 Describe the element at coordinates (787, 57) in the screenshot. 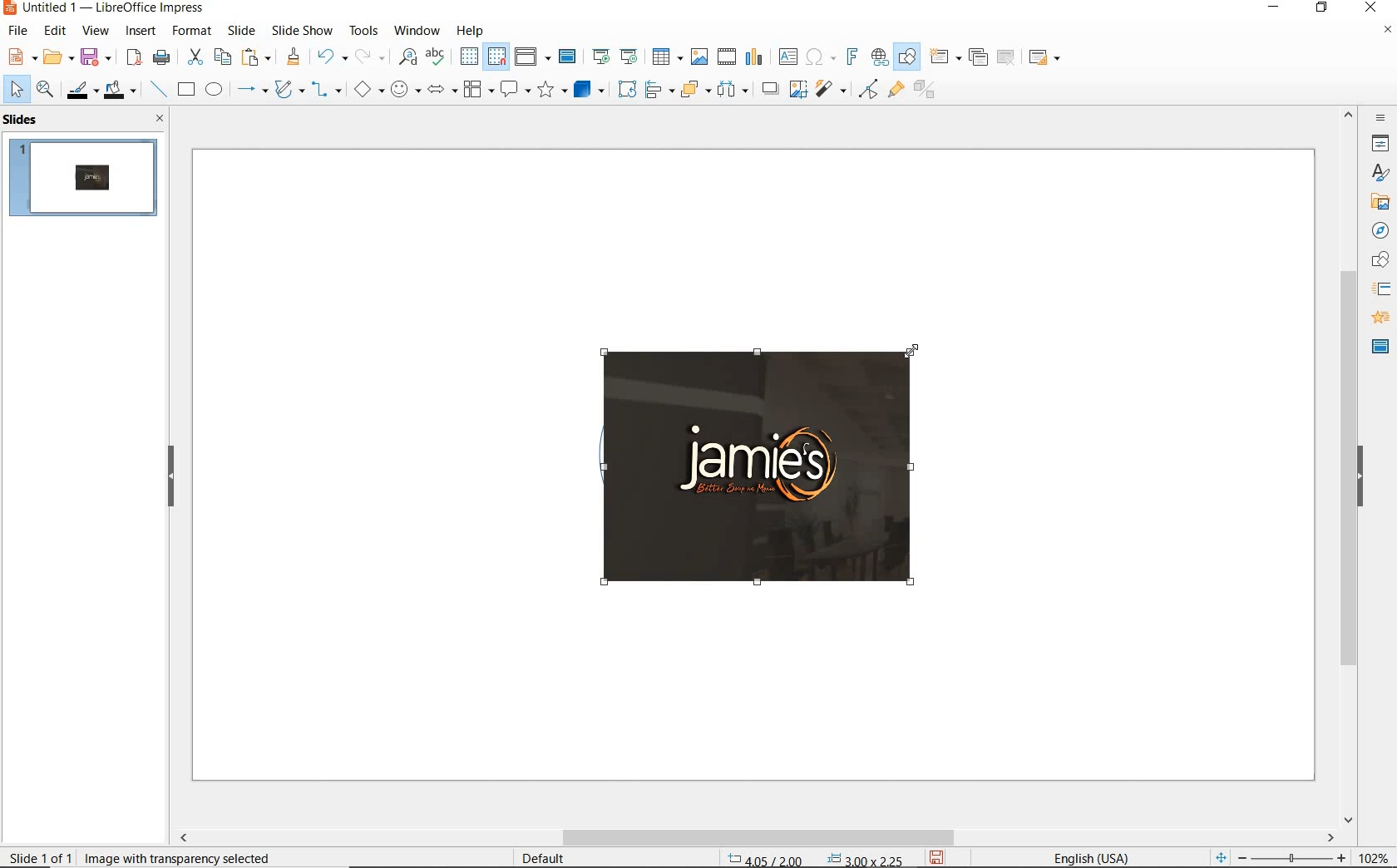

I see `insert text box` at that location.